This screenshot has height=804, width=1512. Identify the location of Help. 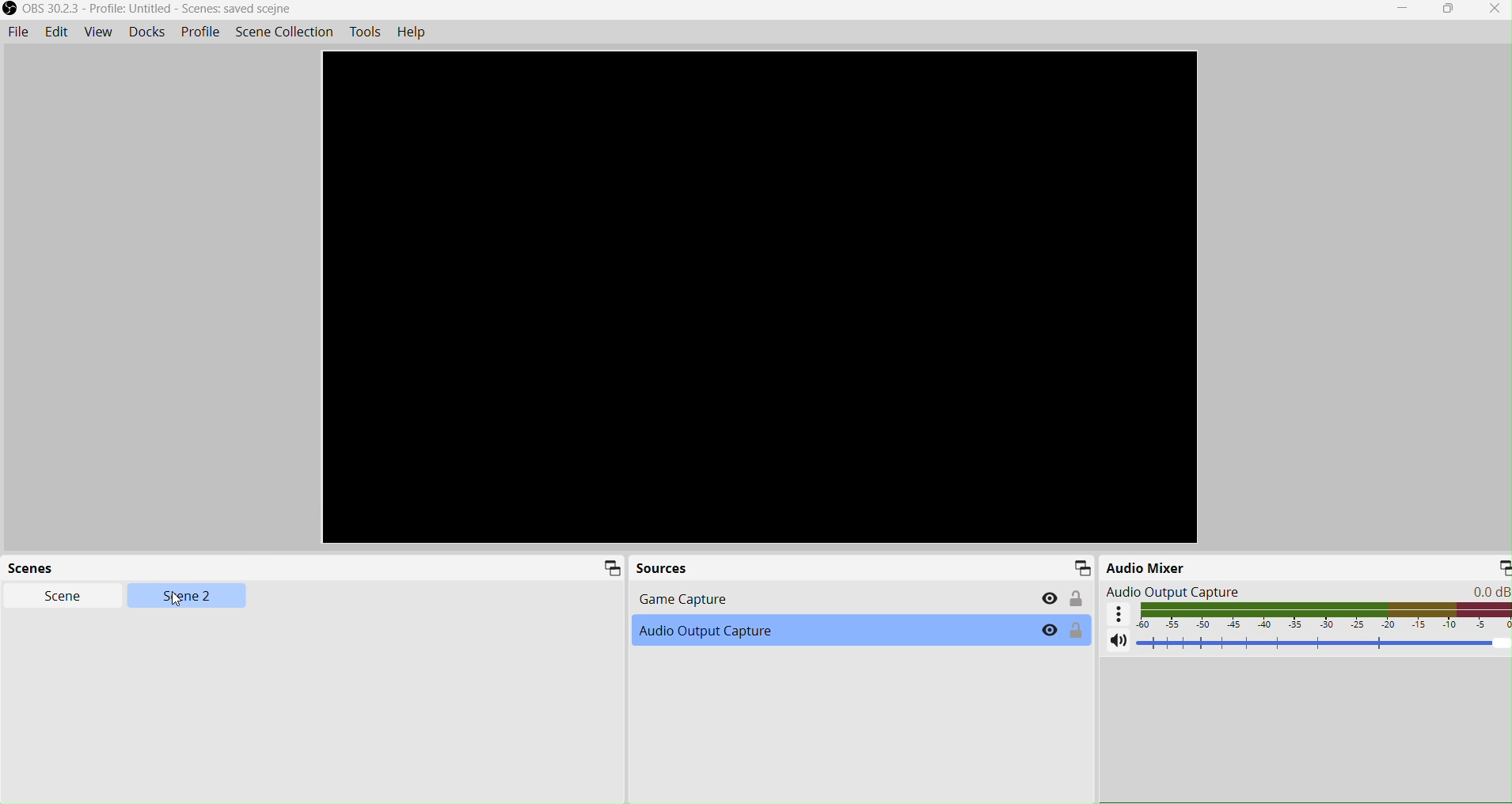
(412, 32).